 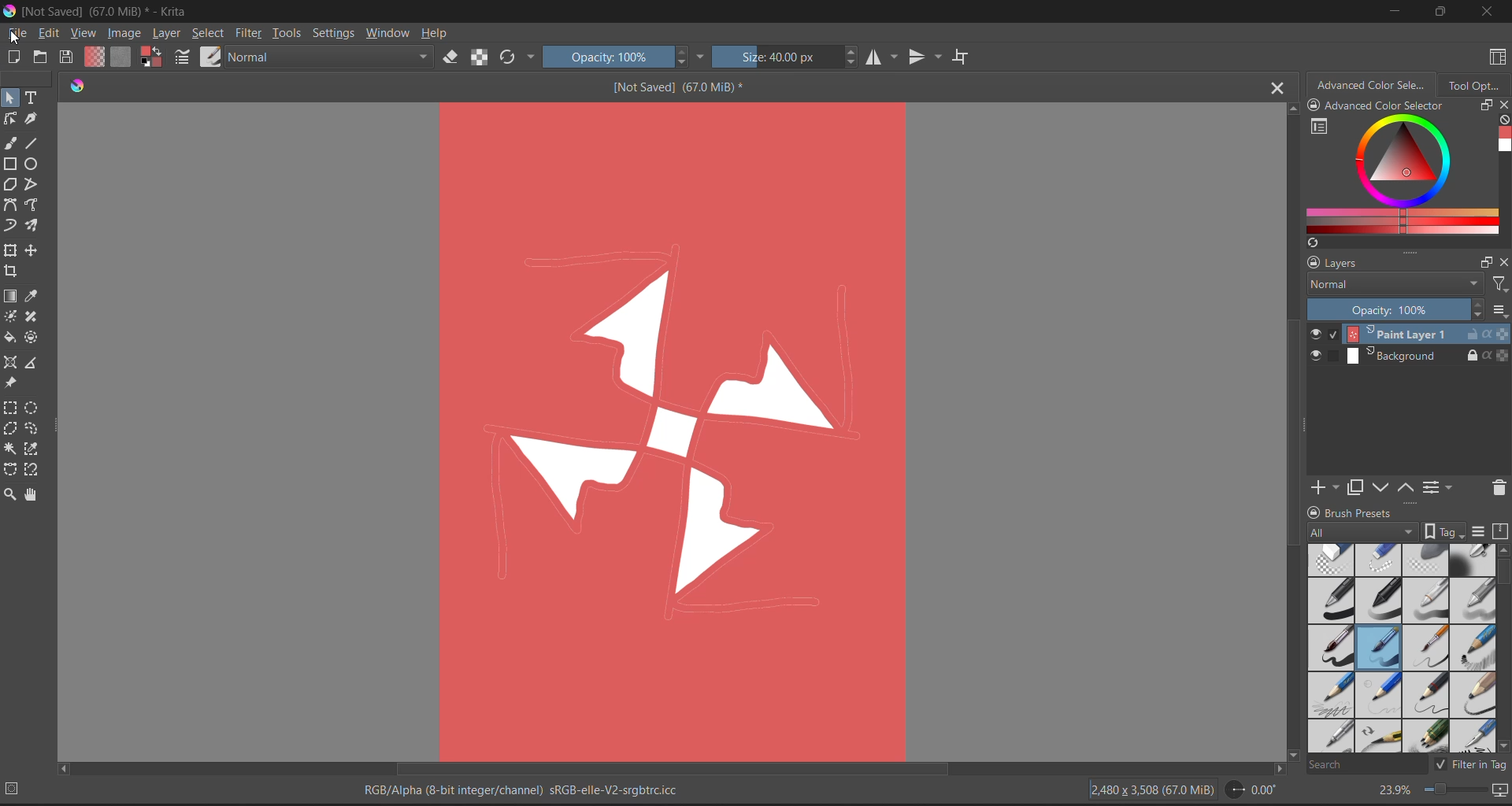 What do you see at coordinates (1289, 434) in the screenshot?
I see `vertical scroll bar` at bounding box center [1289, 434].